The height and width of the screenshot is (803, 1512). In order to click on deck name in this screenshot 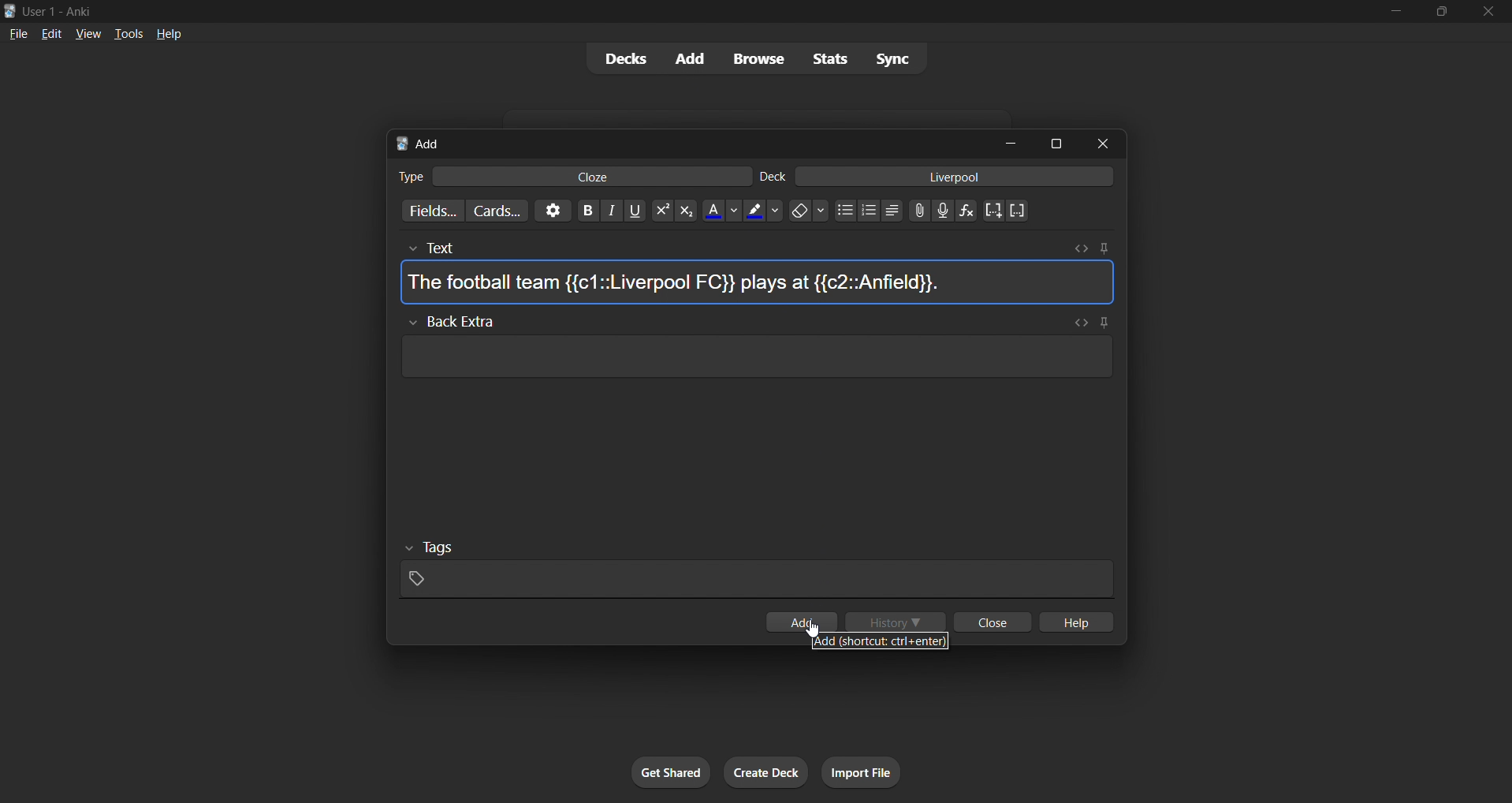, I will do `click(775, 177)`.